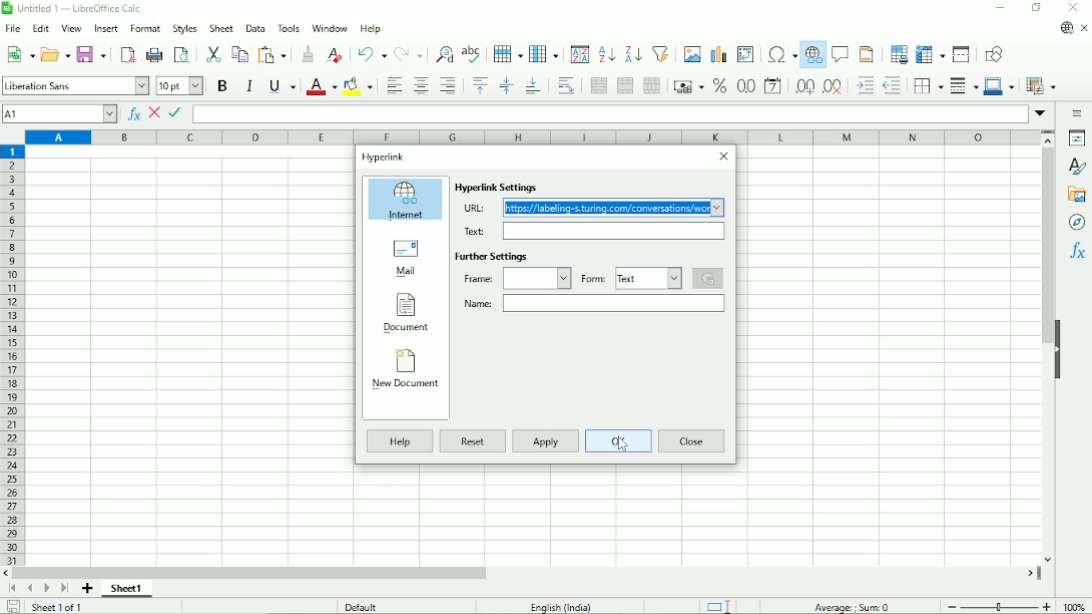  Describe the element at coordinates (45, 589) in the screenshot. I see `Scroll to next page` at that location.